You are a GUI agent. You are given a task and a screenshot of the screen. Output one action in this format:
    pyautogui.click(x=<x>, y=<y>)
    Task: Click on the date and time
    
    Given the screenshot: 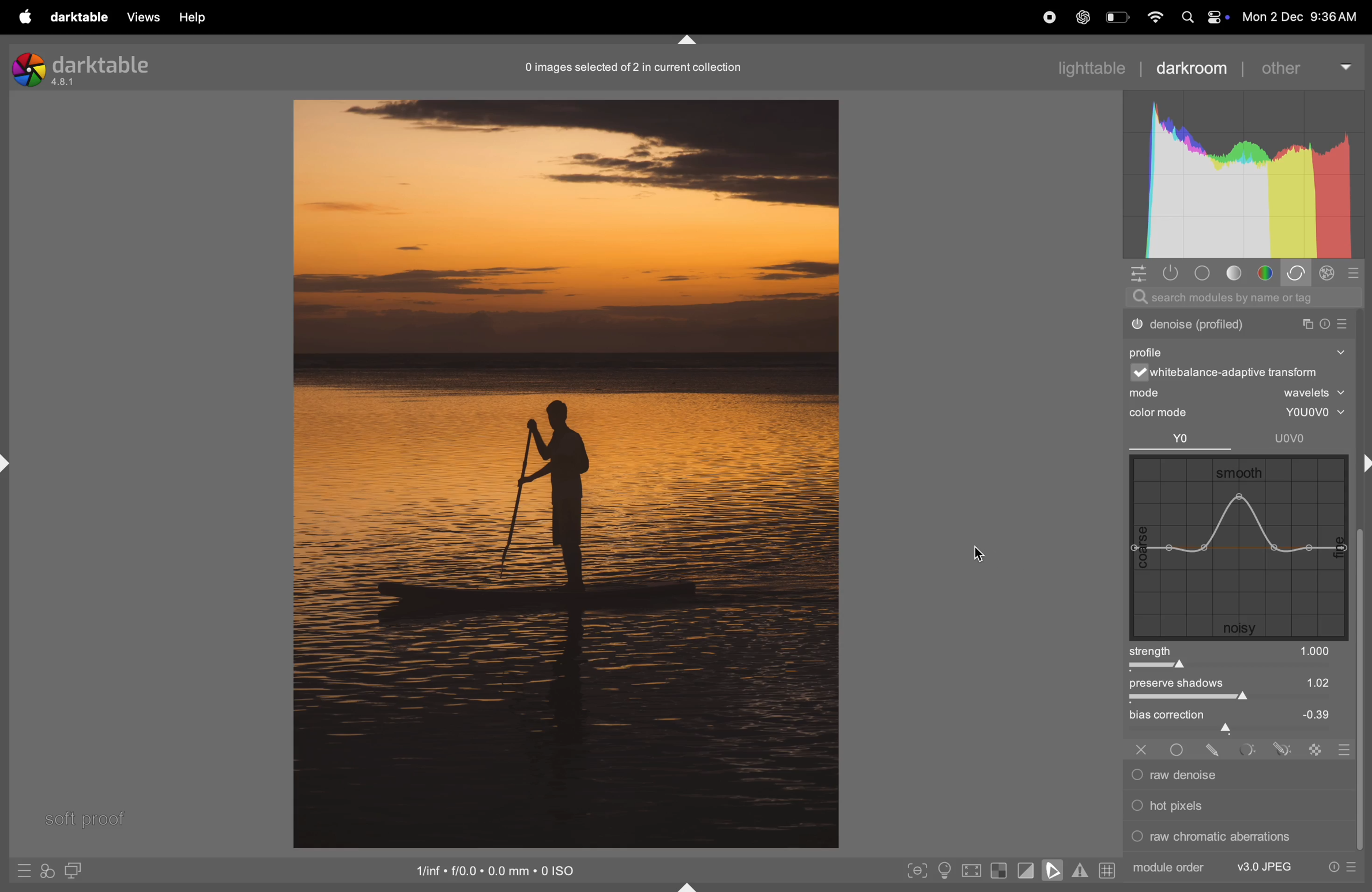 What is the action you would take?
    pyautogui.click(x=1304, y=17)
    